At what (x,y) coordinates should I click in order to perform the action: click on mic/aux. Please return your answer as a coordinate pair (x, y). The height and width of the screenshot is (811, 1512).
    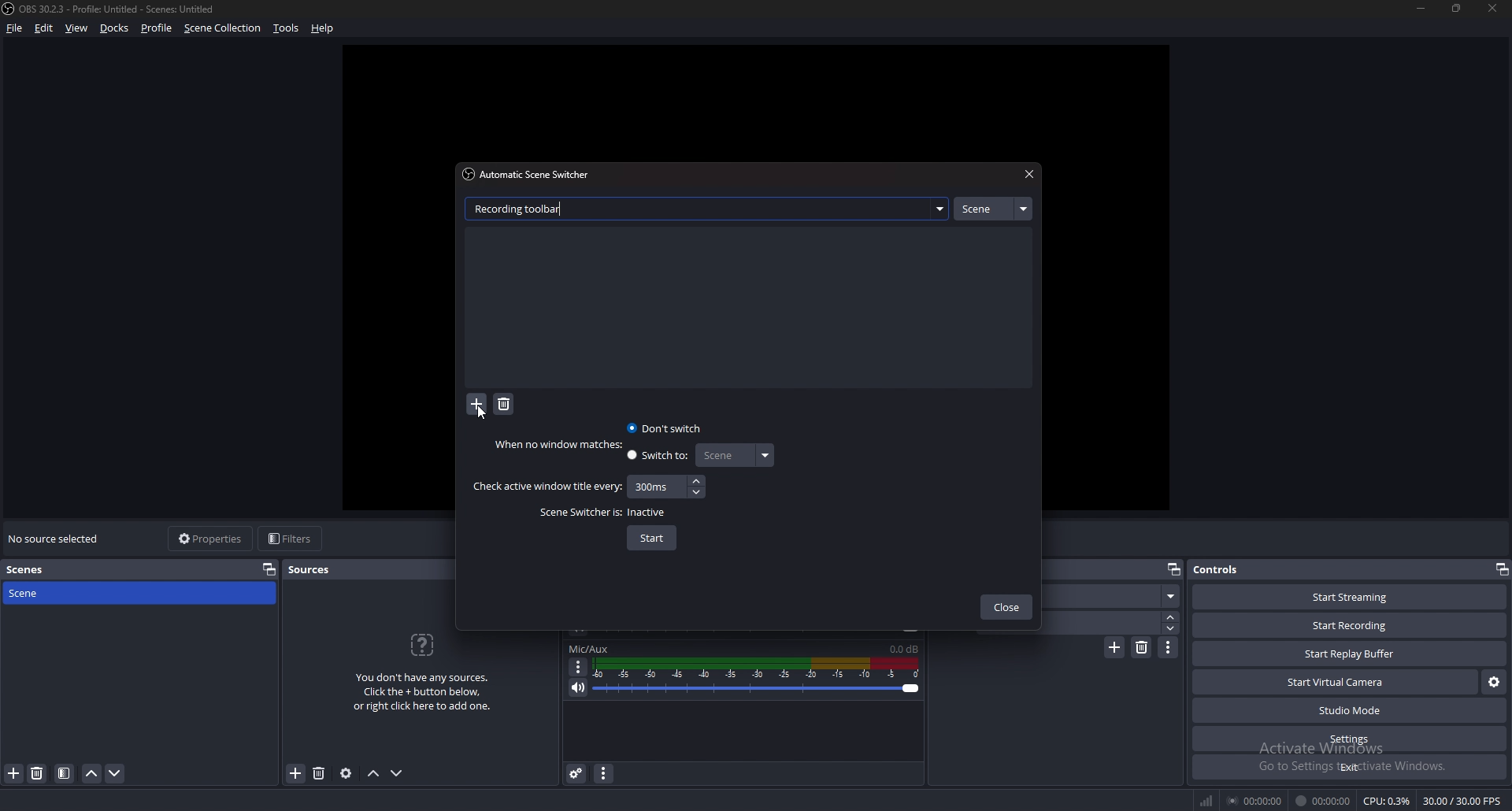
    Looking at the image, I should click on (589, 649).